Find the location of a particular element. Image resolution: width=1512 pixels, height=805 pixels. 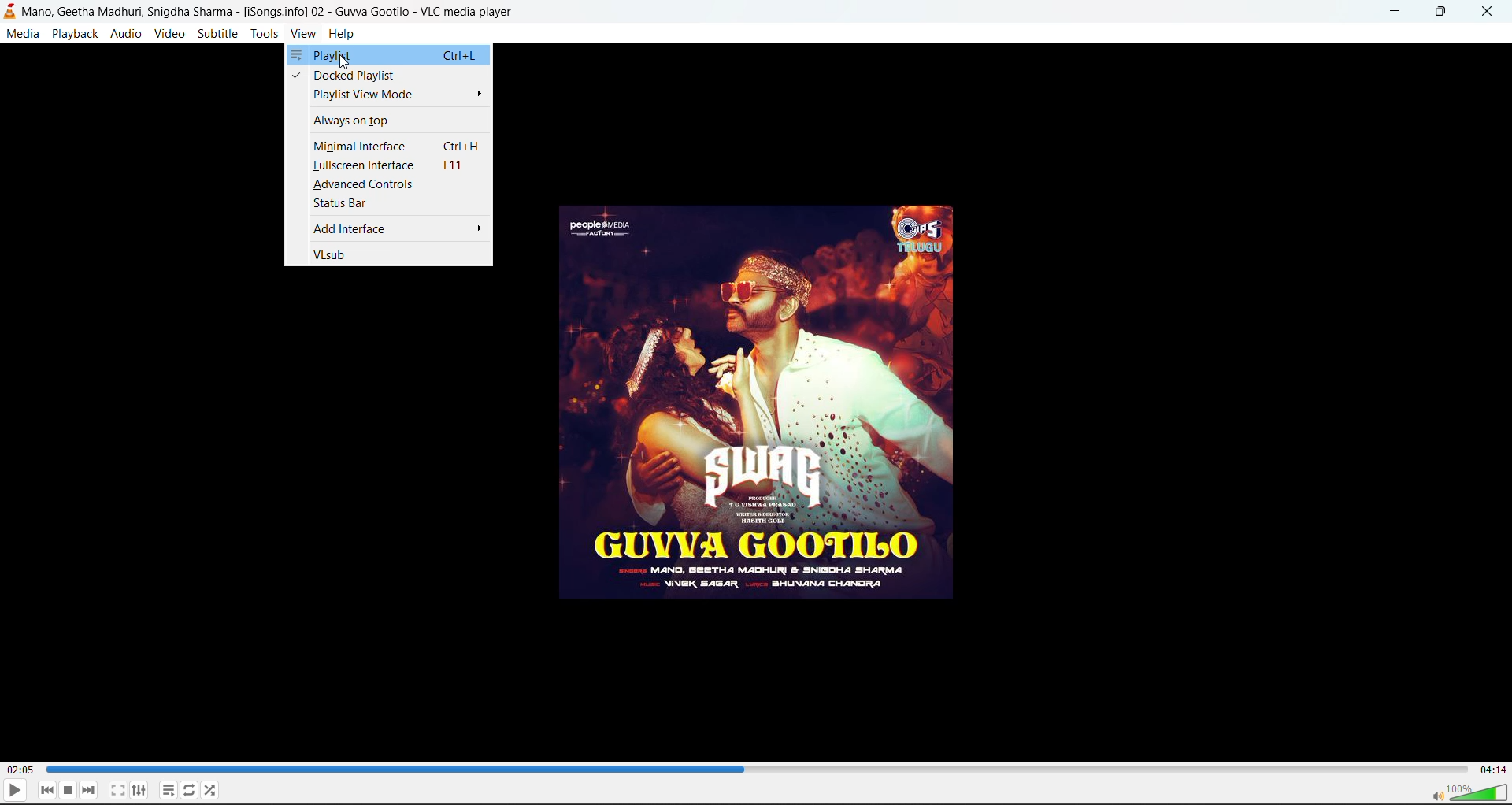

playlist is located at coordinates (391, 55).